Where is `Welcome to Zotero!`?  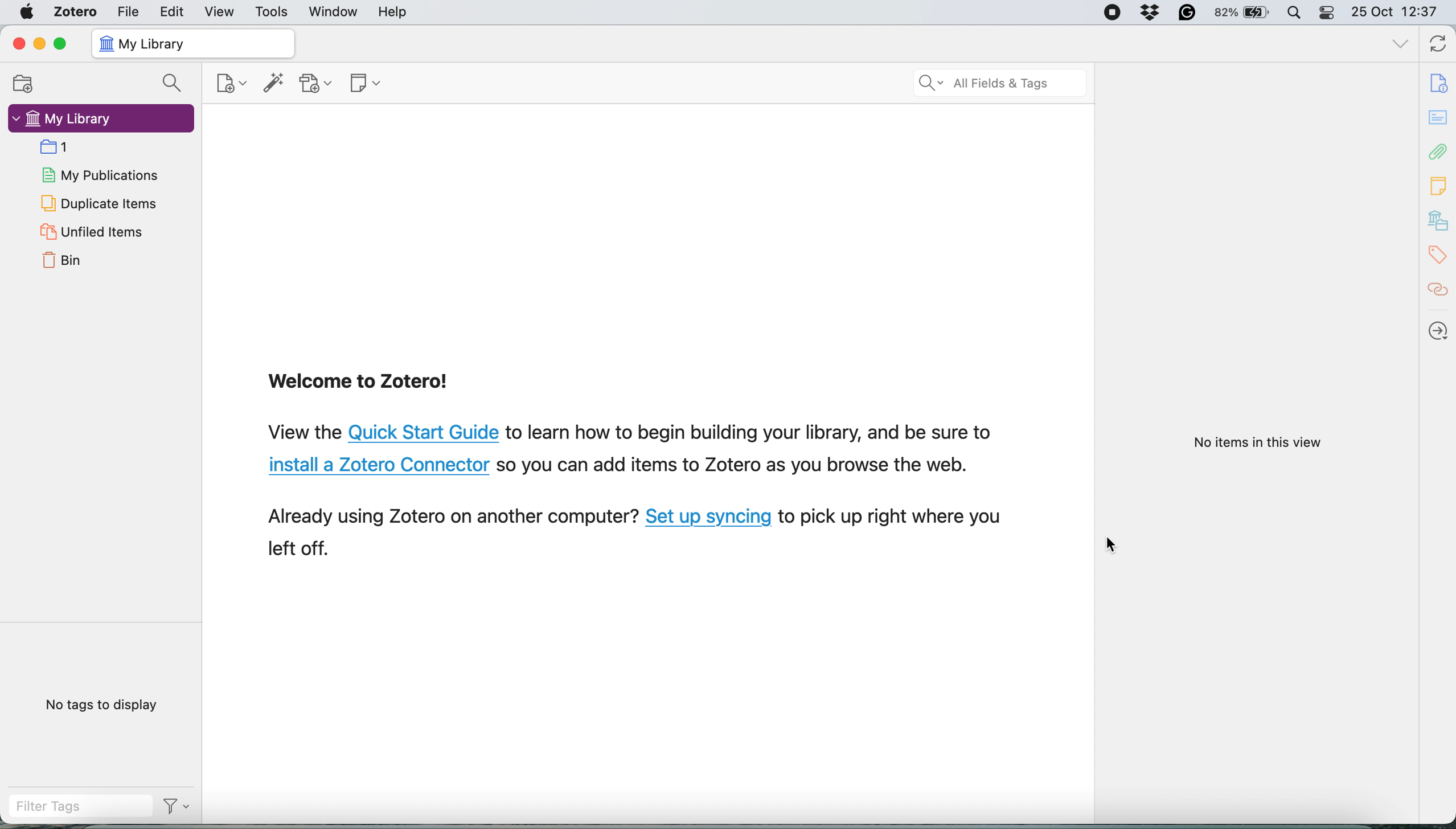 Welcome to Zotero! is located at coordinates (367, 383).